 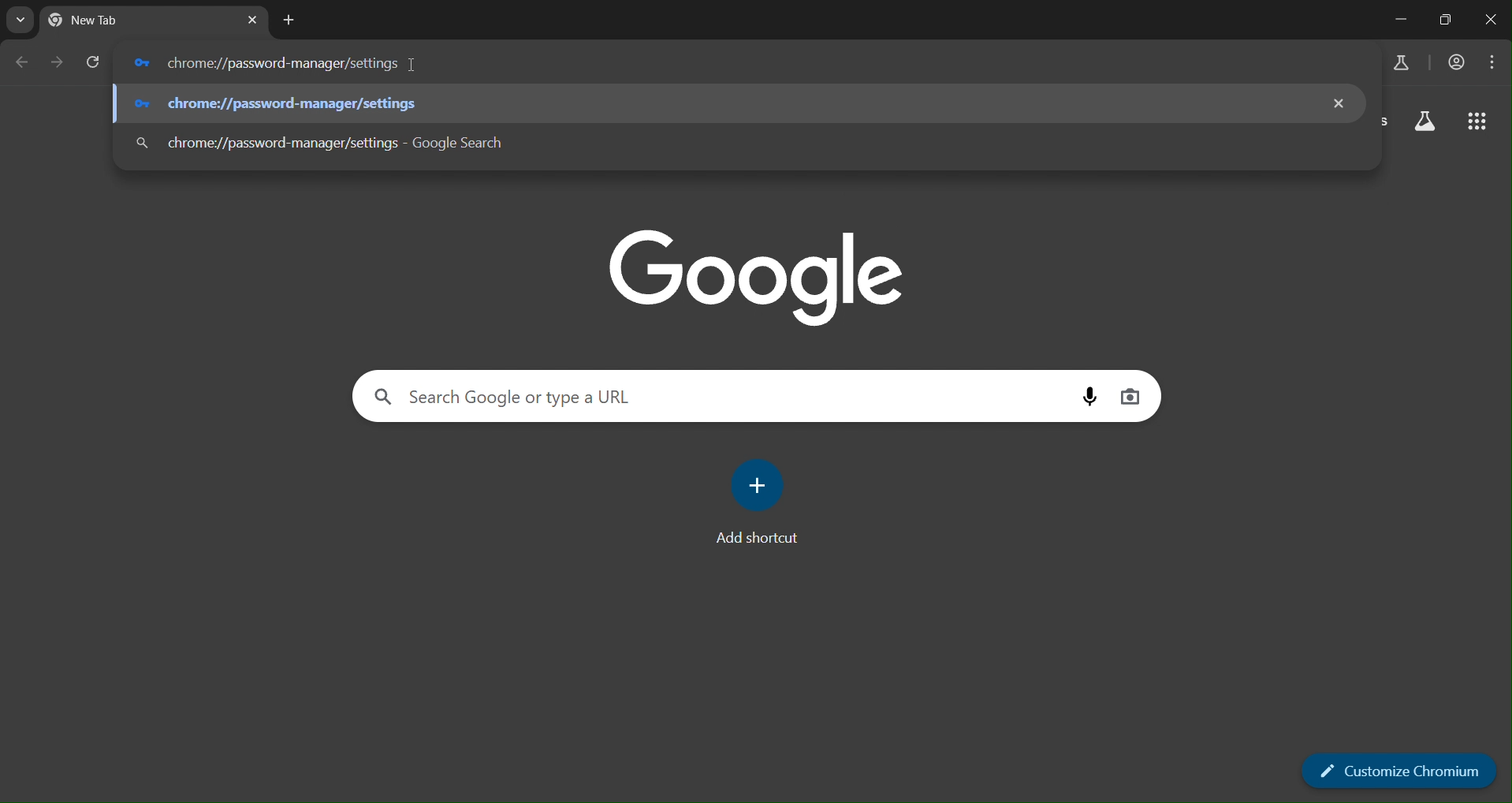 What do you see at coordinates (1425, 123) in the screenshot?
I see `search labs` at bounding box center [1425, 123].